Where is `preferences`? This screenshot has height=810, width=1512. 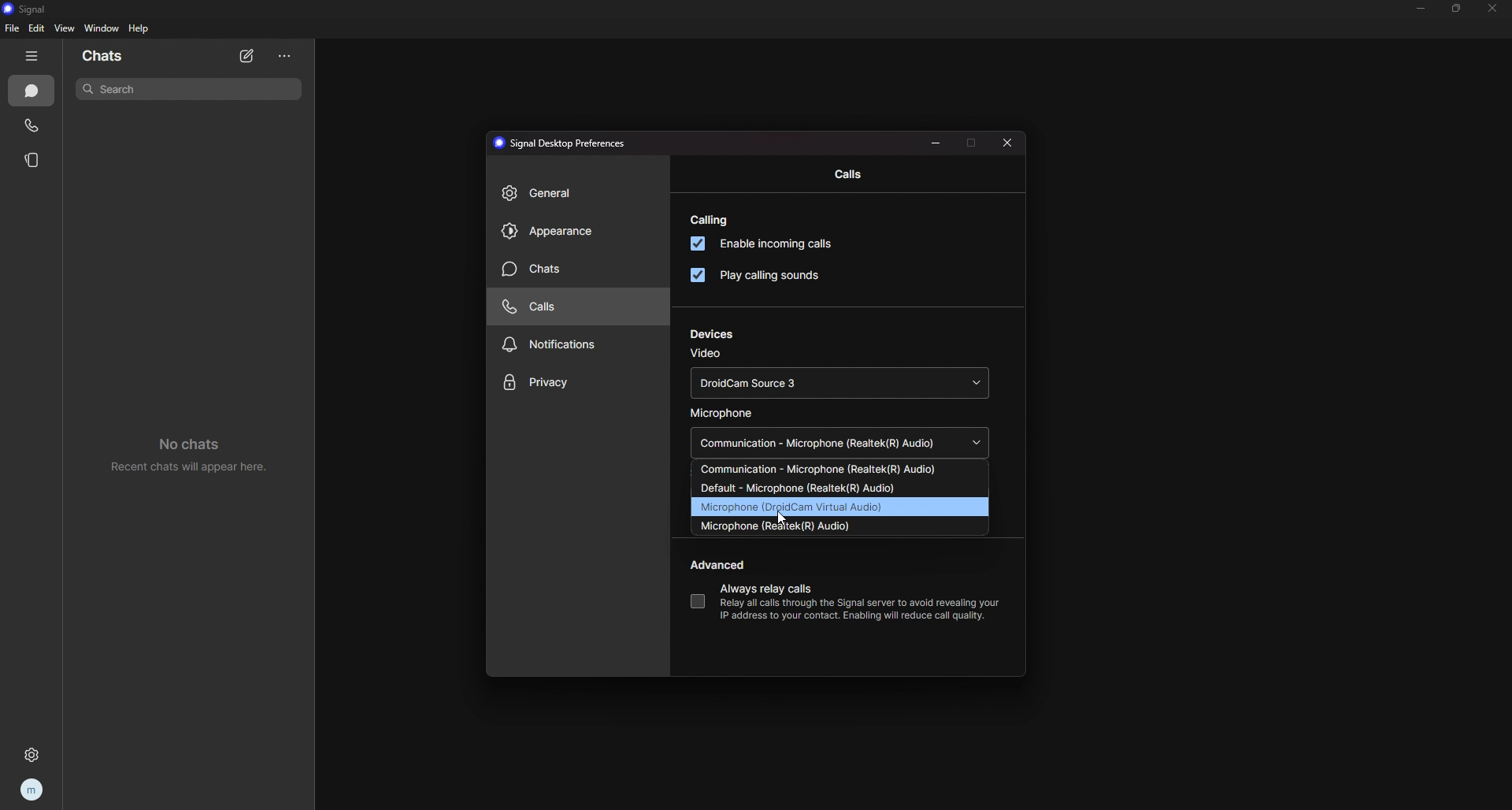
preferences is located at coordinates (564, 143).